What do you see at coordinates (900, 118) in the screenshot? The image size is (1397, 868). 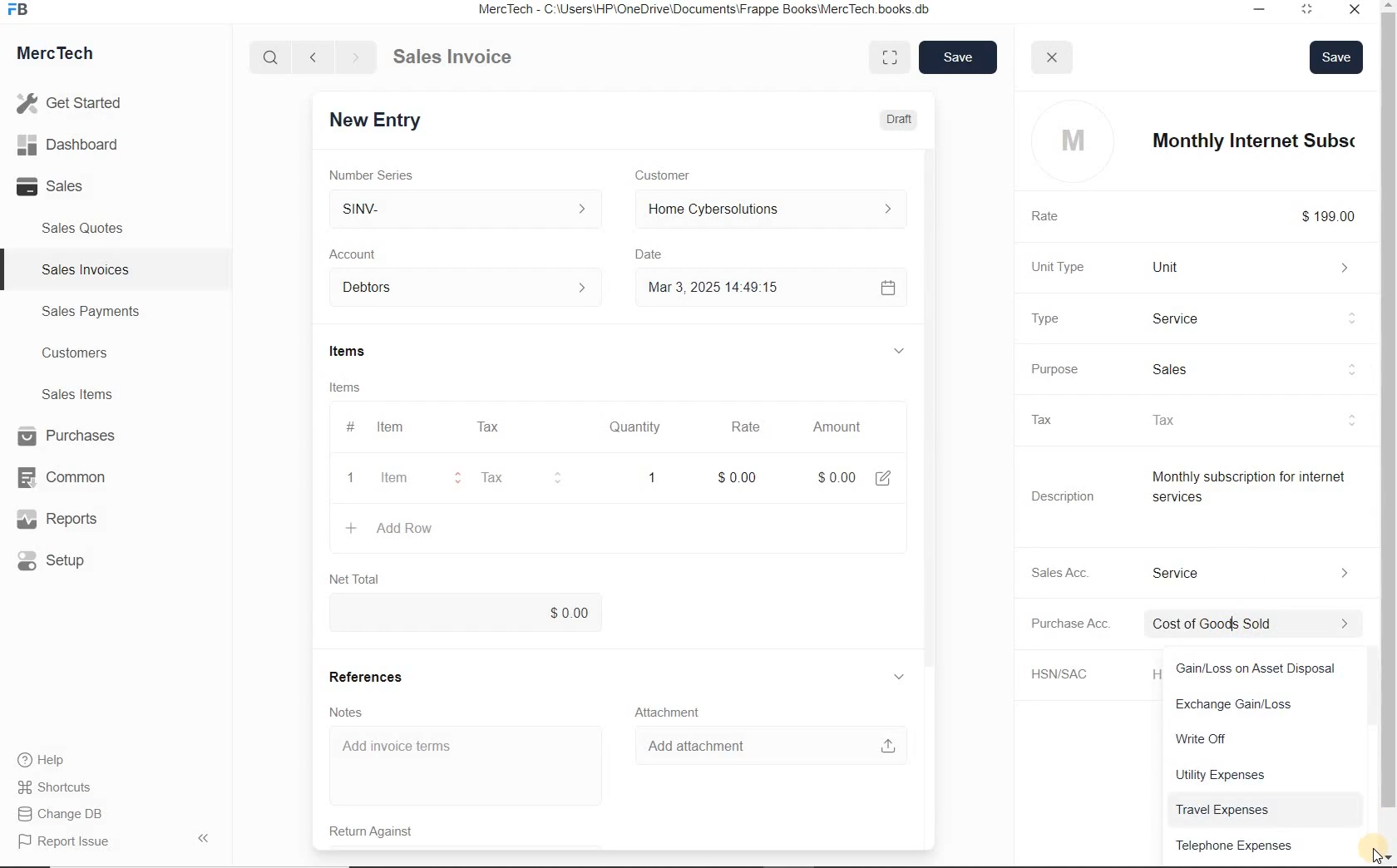 I see `Draft` at bounding box center [900, 118].